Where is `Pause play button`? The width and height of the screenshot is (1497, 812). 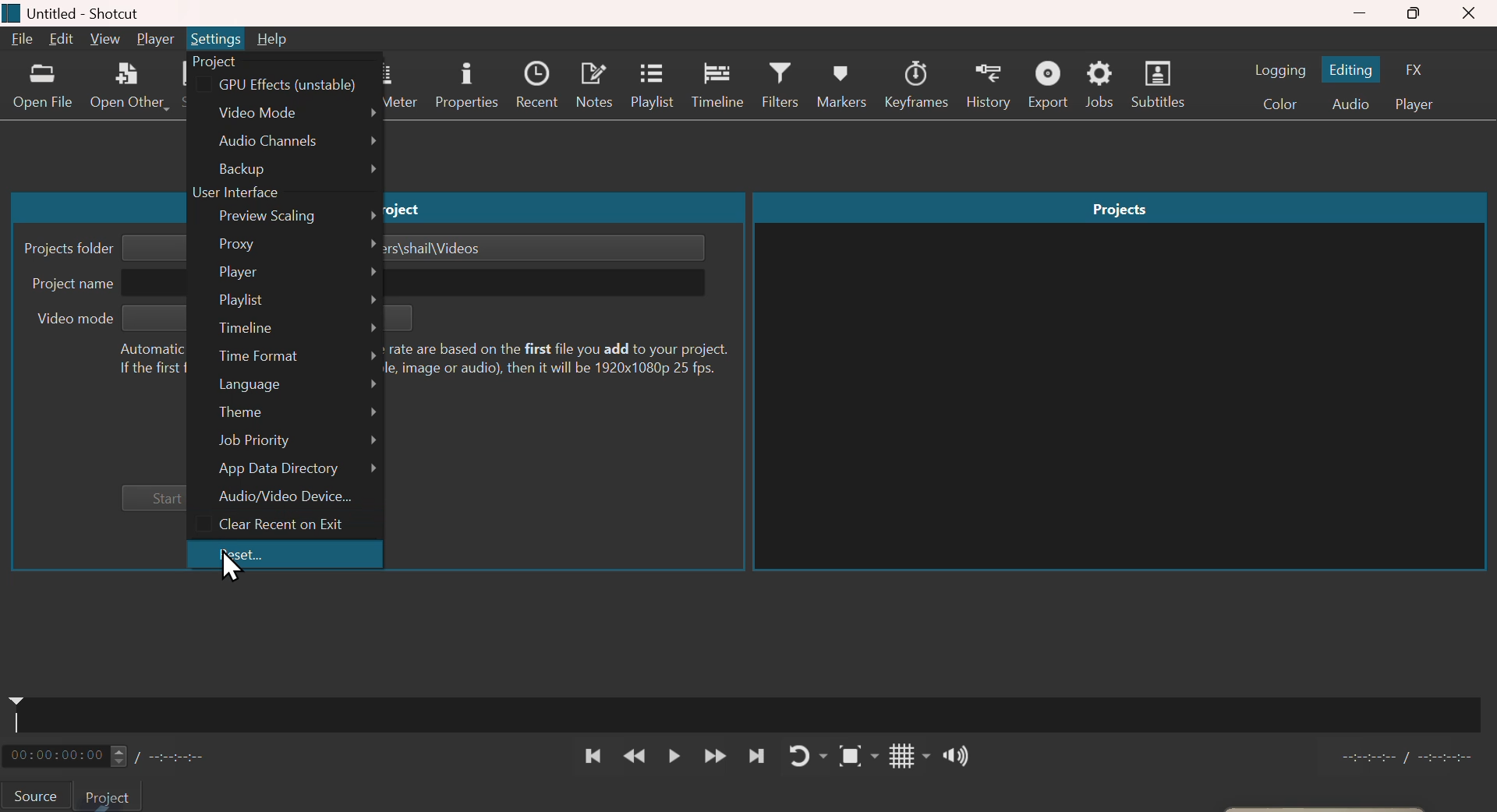 Pause play button is located at coordinates (675, 757).